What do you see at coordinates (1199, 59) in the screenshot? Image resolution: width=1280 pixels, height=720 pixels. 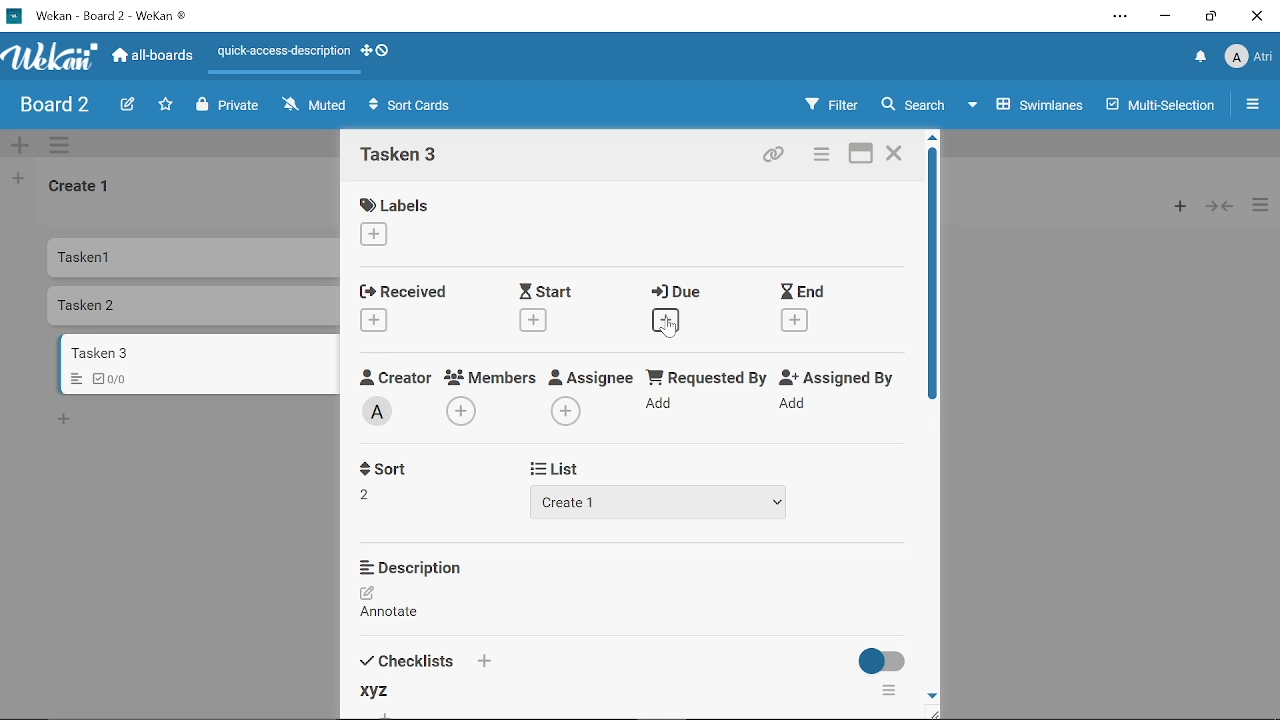 I see `Notifications` at bounding box center [1199, 59].